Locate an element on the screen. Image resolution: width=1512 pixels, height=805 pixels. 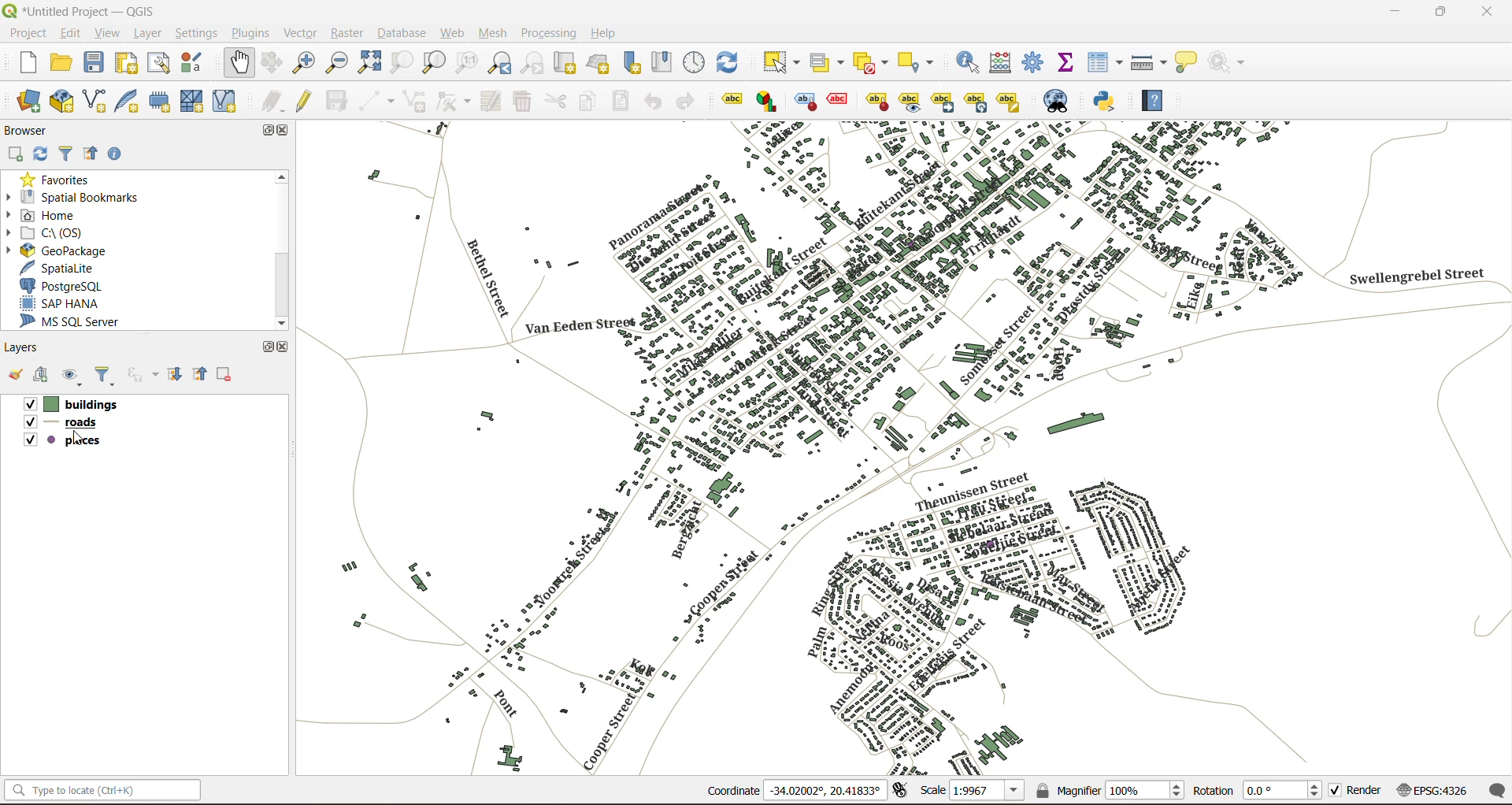
zoom selection is located at coordinates (402, 66).